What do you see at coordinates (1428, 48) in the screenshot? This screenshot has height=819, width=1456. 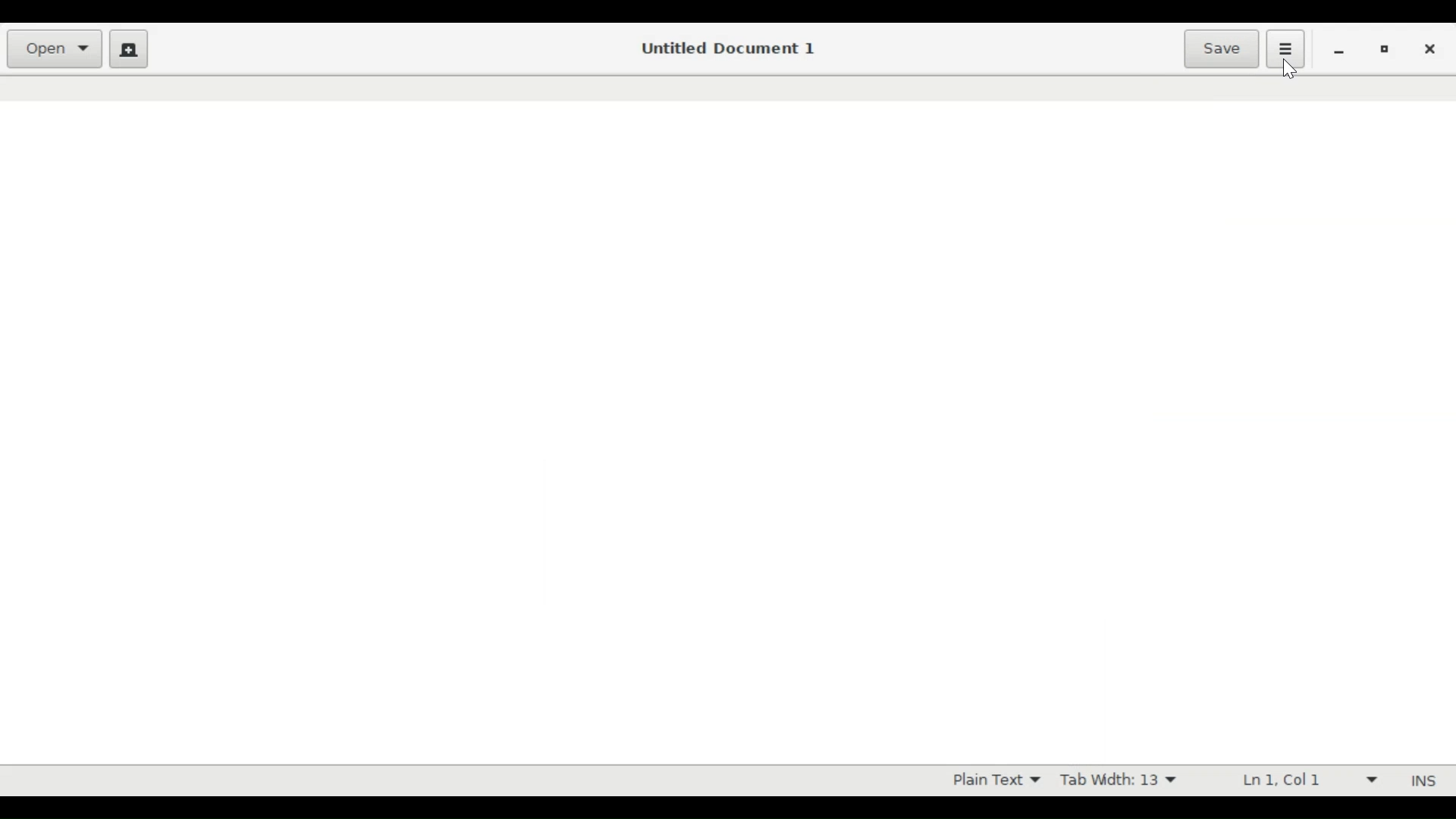 I see `close` at bounding box center [1428, 48].